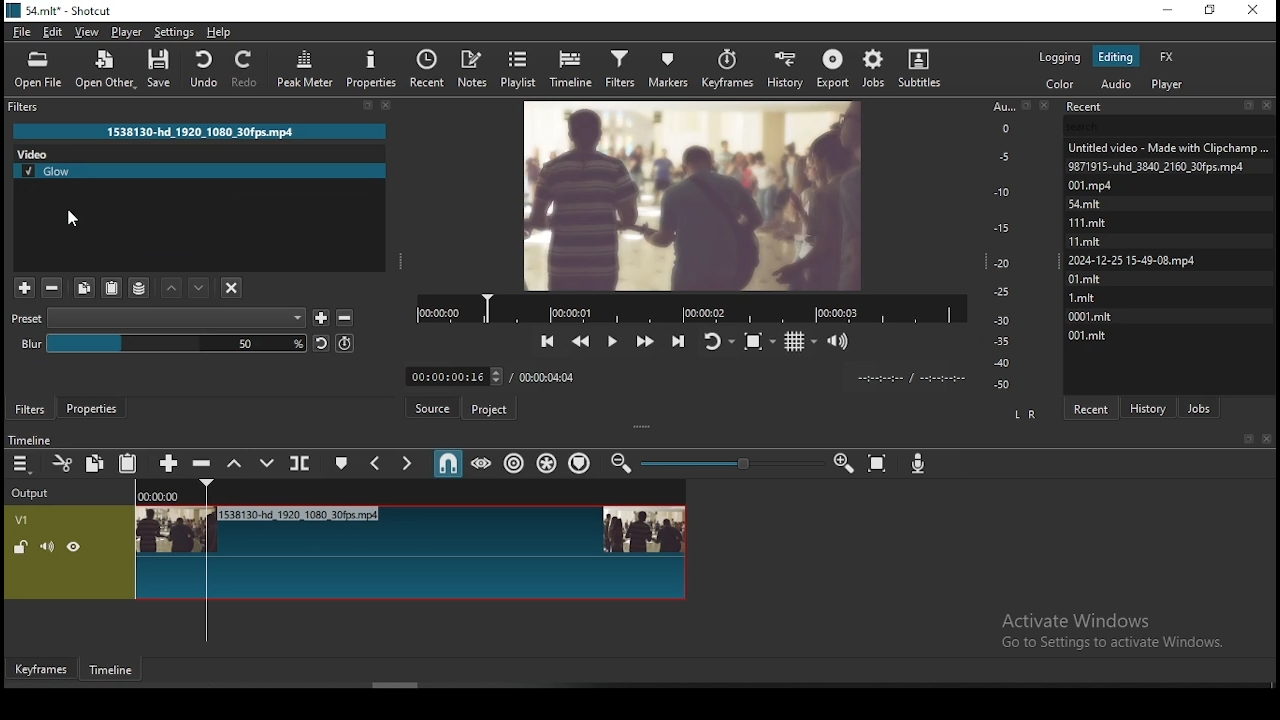 The image size is (1280, 720). What do you see at coordinates (1167, 56) in the screenshot?
I see `fx` at bounding box center [1167, 56].